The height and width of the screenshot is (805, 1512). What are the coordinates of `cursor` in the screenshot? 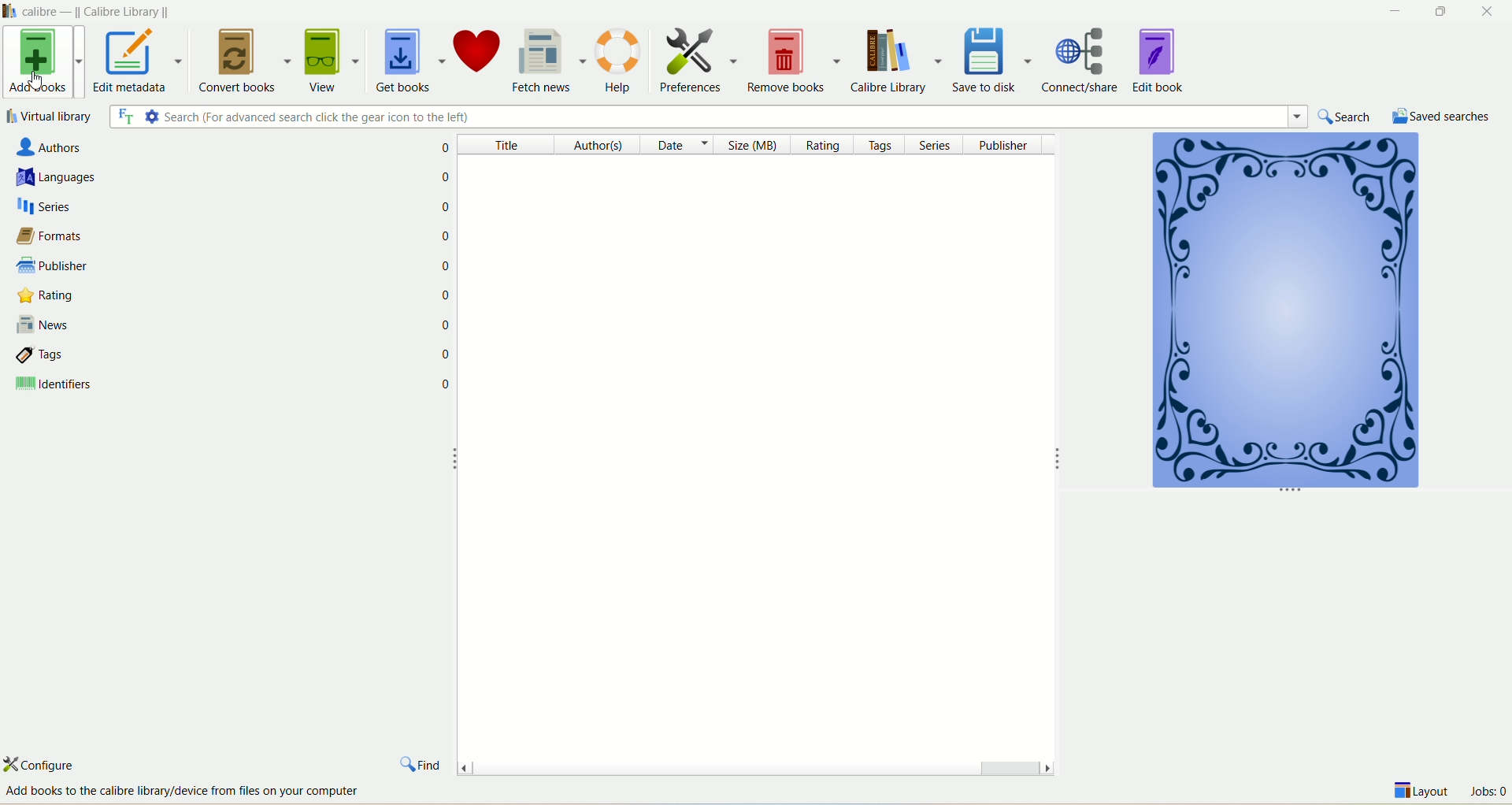 It's located at (38, 81).